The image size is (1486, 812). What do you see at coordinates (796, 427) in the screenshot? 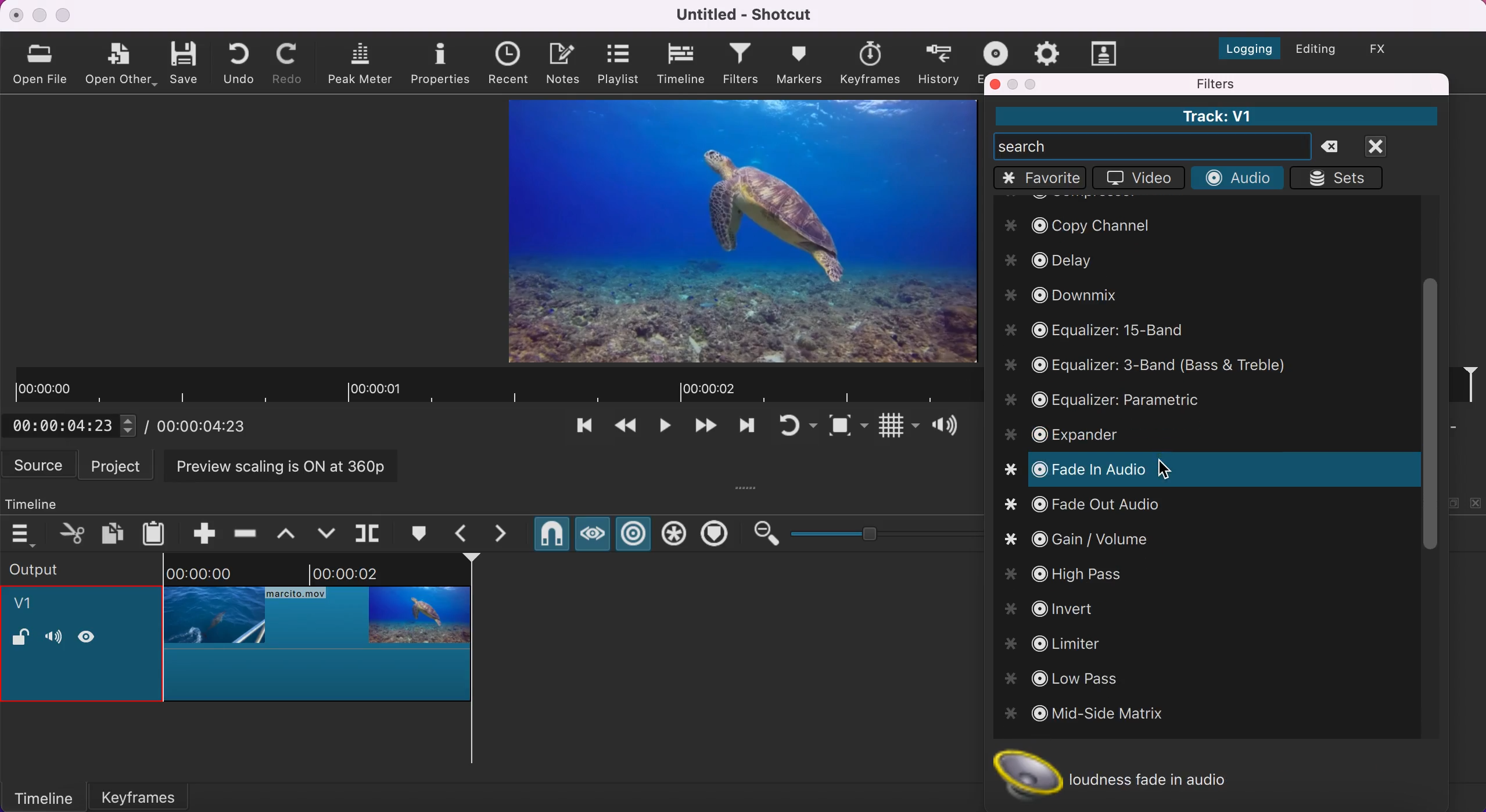
I see `toggle player looping` at bounding box center [796, 427].